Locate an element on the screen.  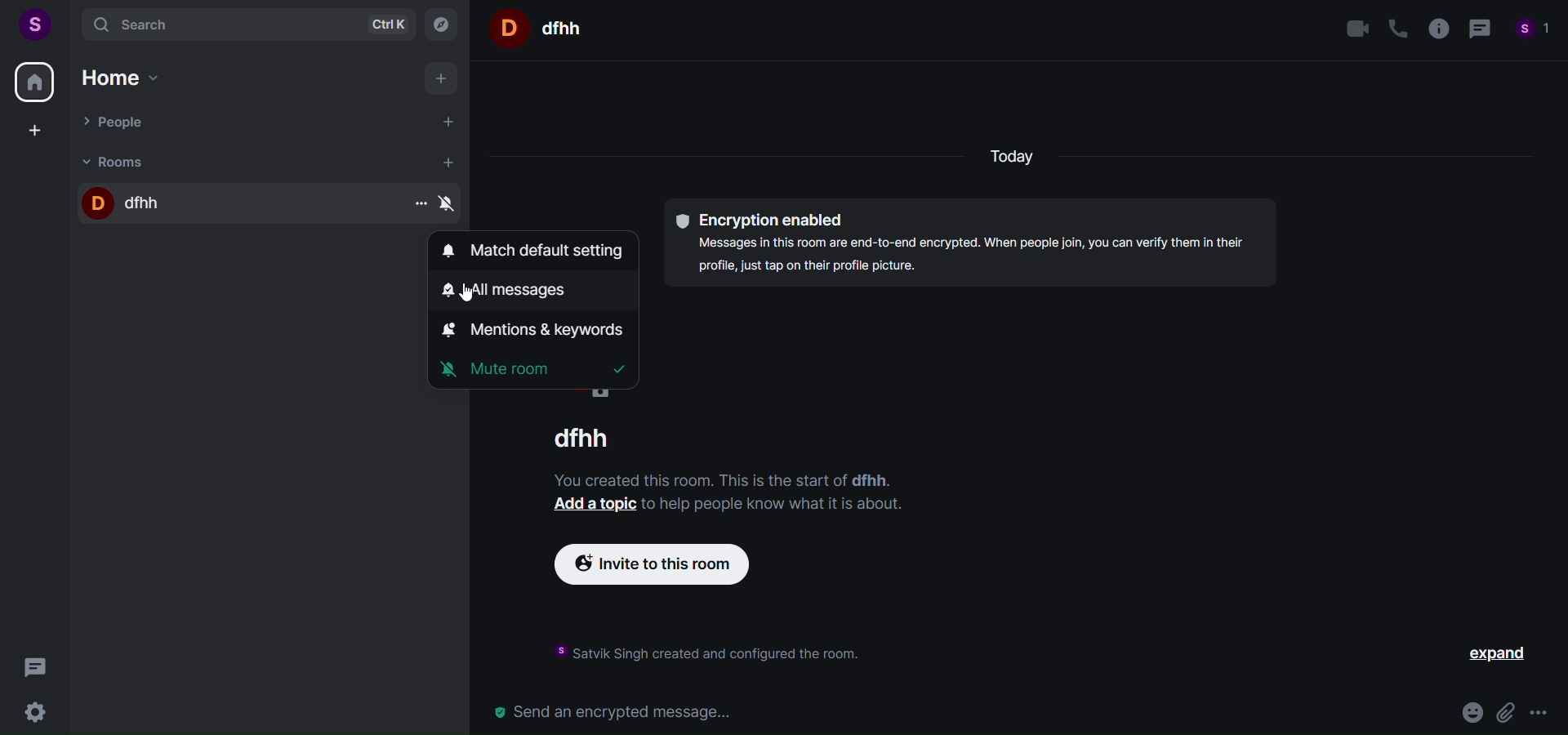
setting is located at coordinates (33, 712).